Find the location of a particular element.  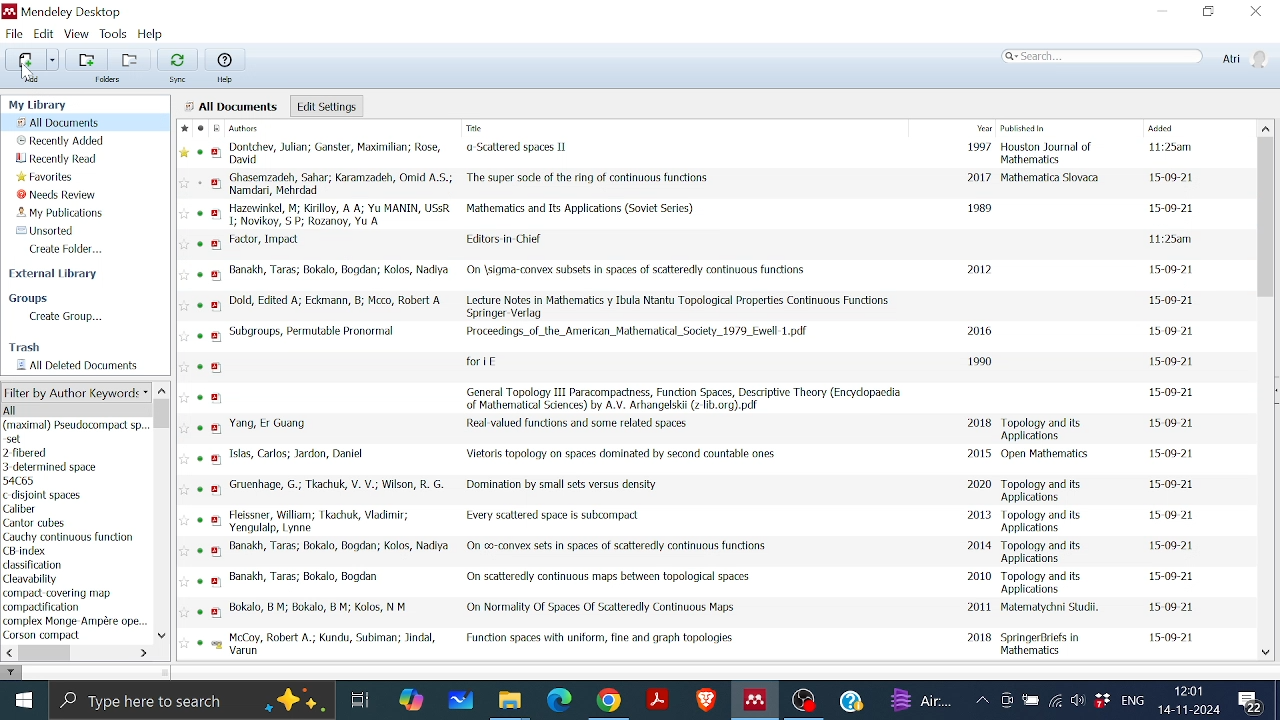

favourite is located at coordinates (184, 215).